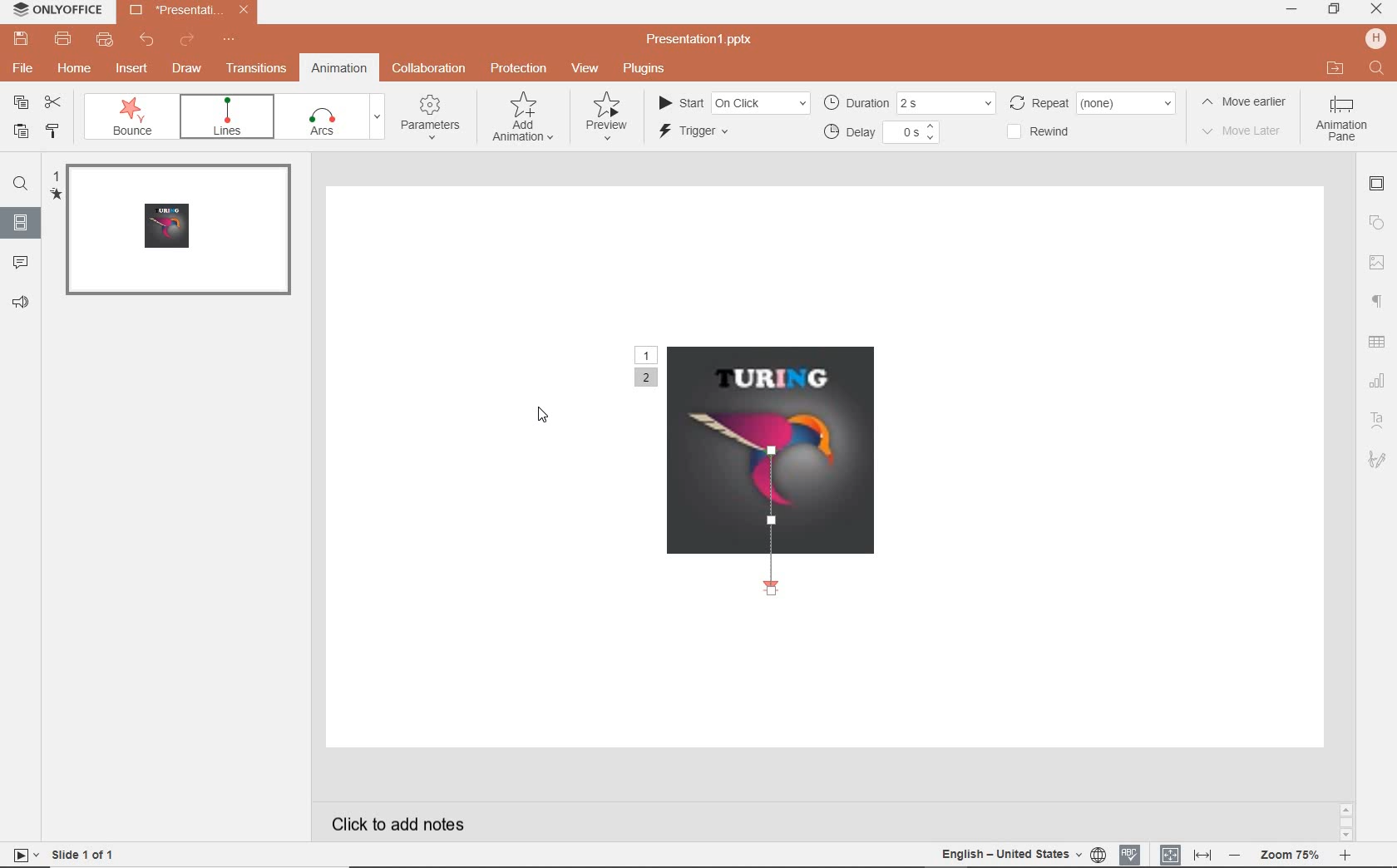 The height and width of the screenshot is (868, 1397). I want to click on fit to width, so click(1202, 856).